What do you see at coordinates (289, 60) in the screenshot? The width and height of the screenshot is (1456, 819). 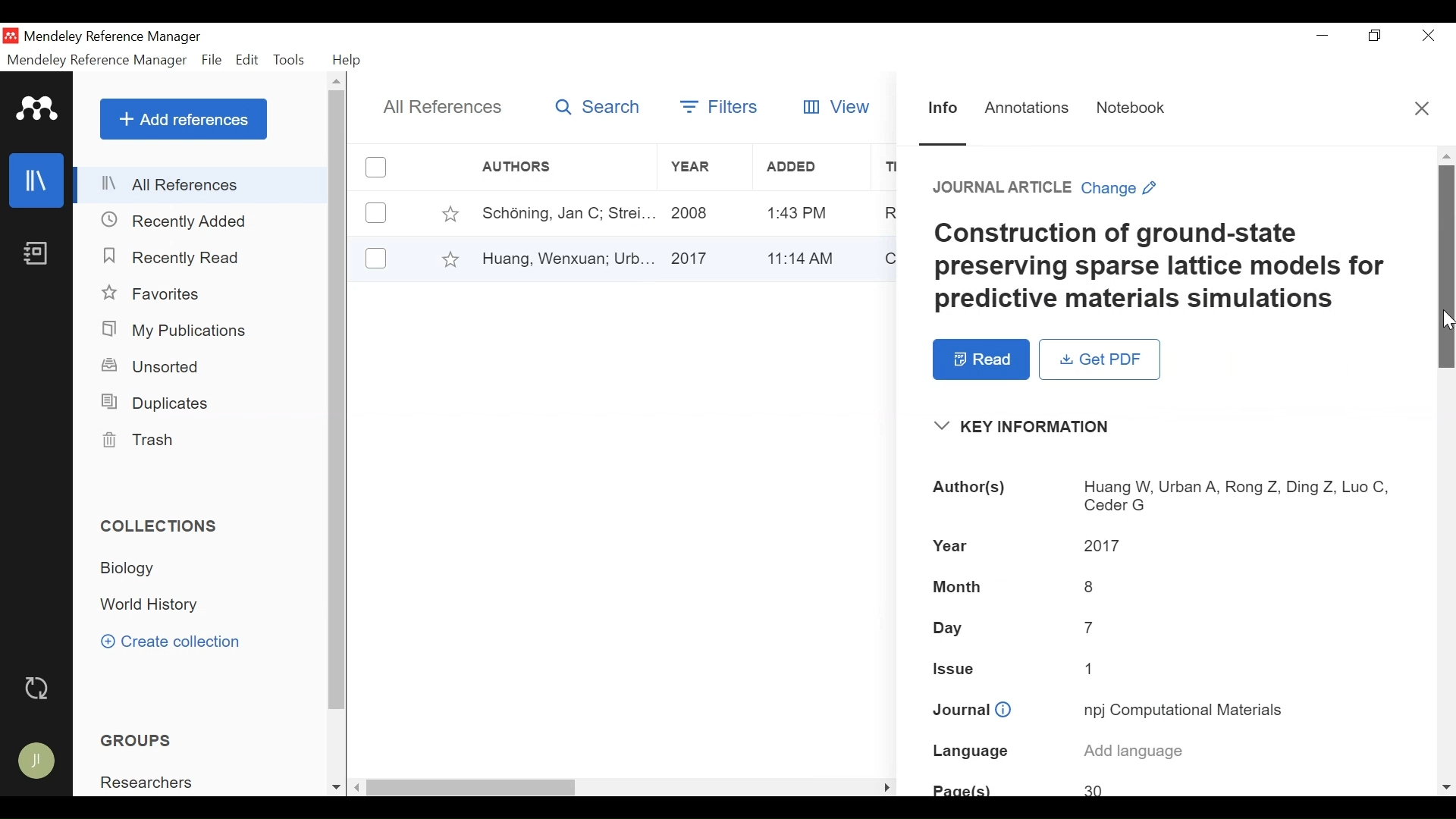 I see `Tools` at bounding box center [289, 60].